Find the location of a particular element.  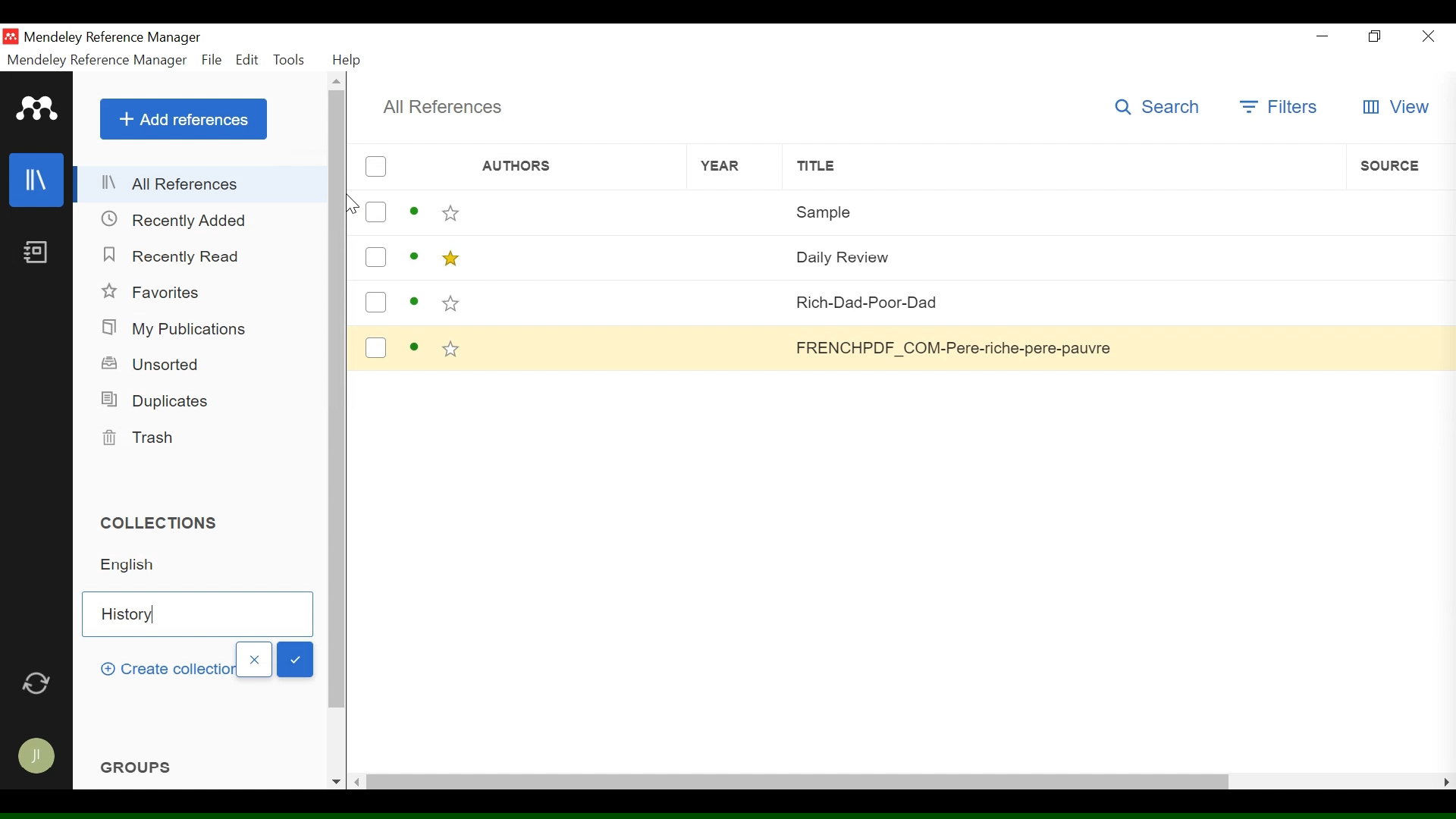

Source is located at coordinates (1400, 211).